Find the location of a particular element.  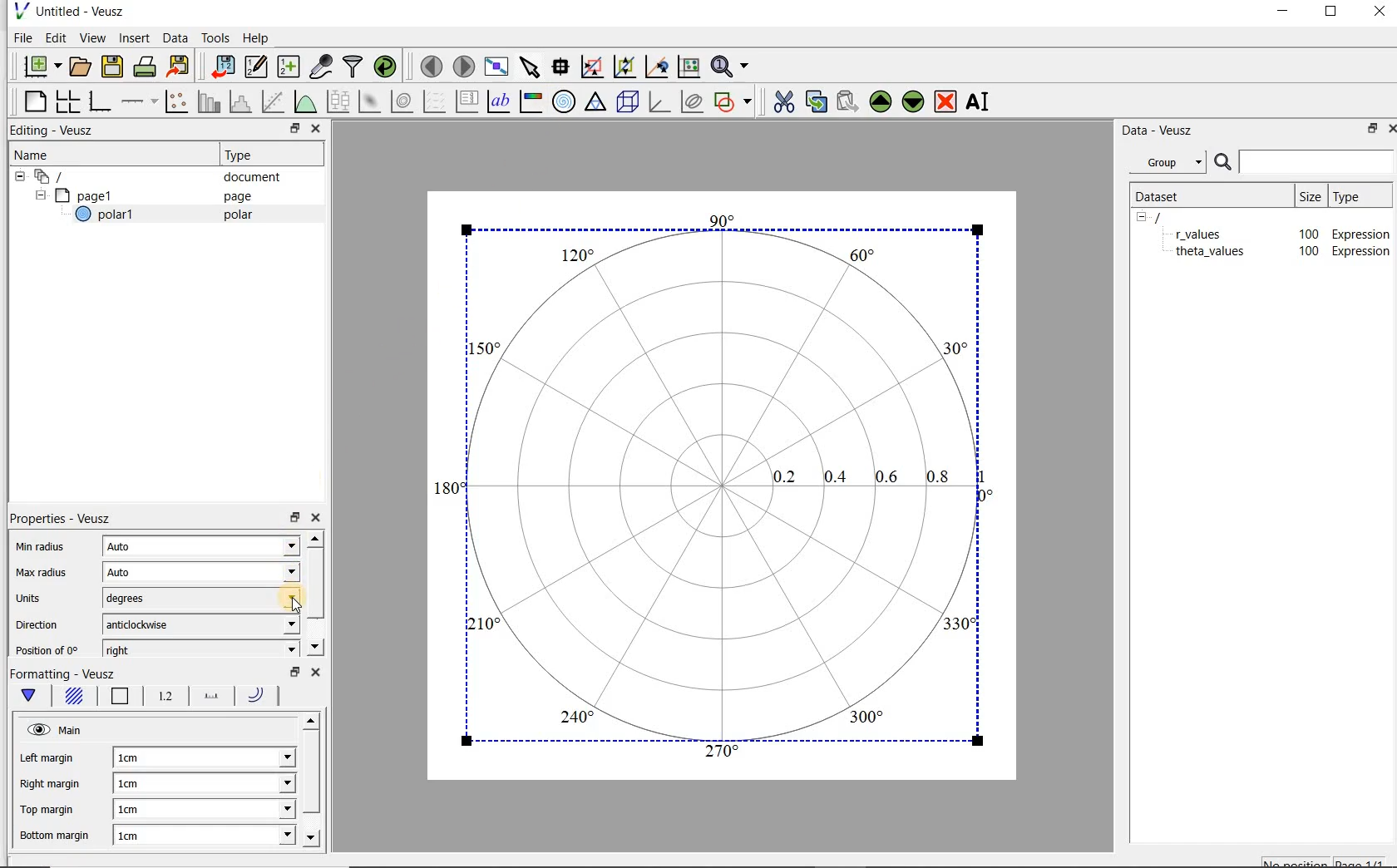

save the document is located at coordinates (116, 67).